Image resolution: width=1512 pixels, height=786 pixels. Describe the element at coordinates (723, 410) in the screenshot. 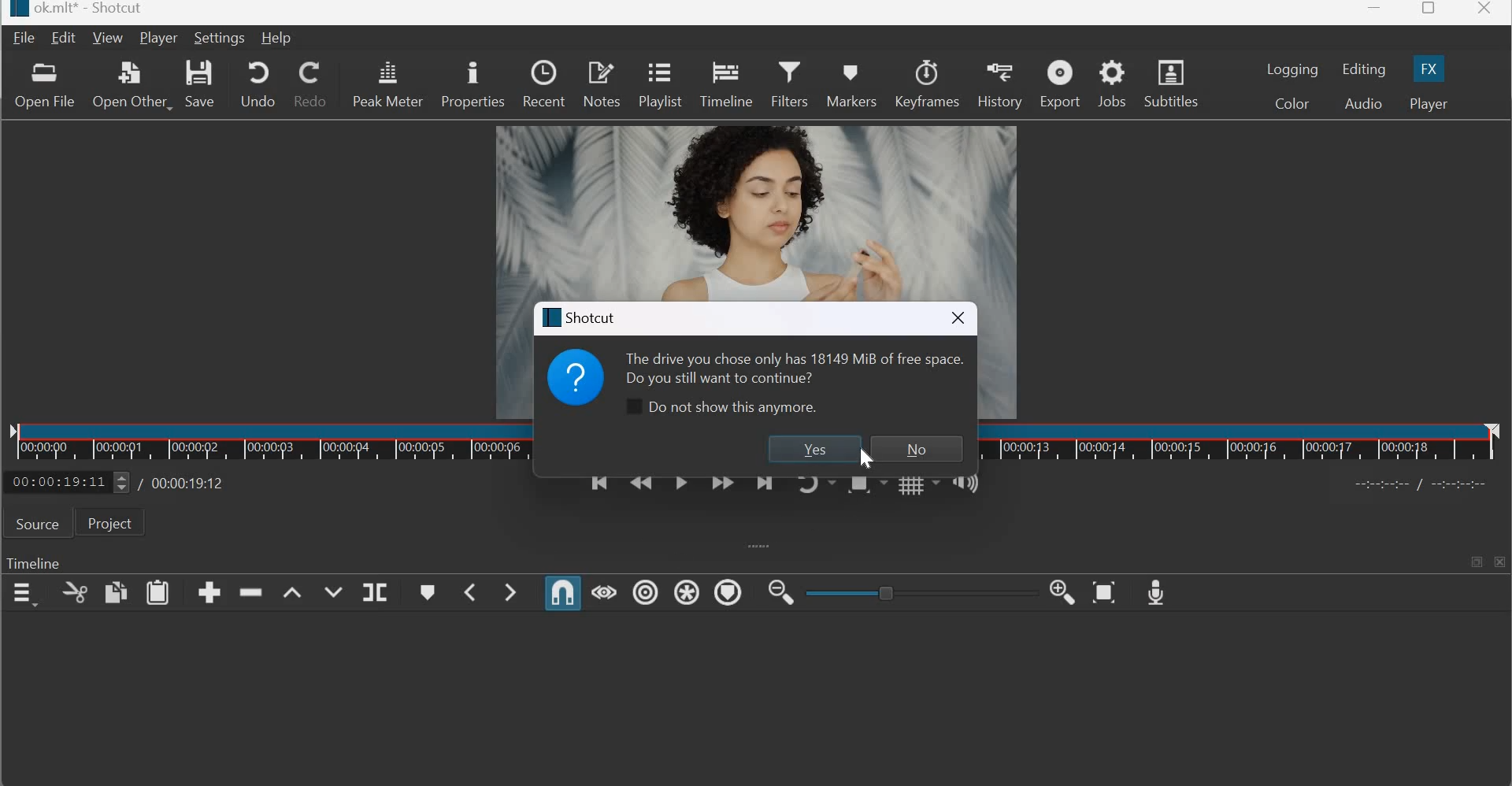

I see `Text 2` at that location.